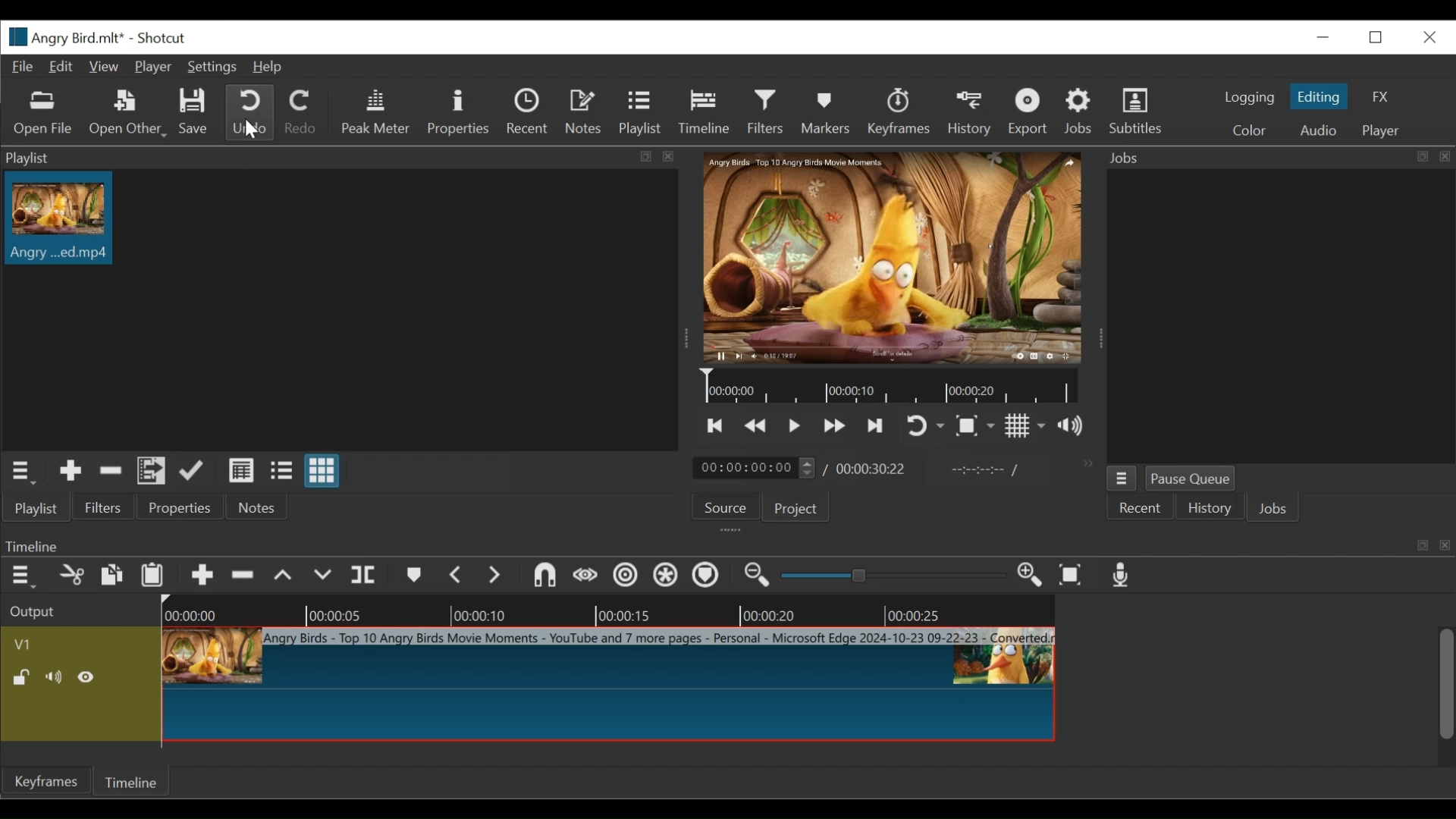 The width and height of the screenshot is (1456, 819). I want to click on zoom timeline out, so click(759, 576).